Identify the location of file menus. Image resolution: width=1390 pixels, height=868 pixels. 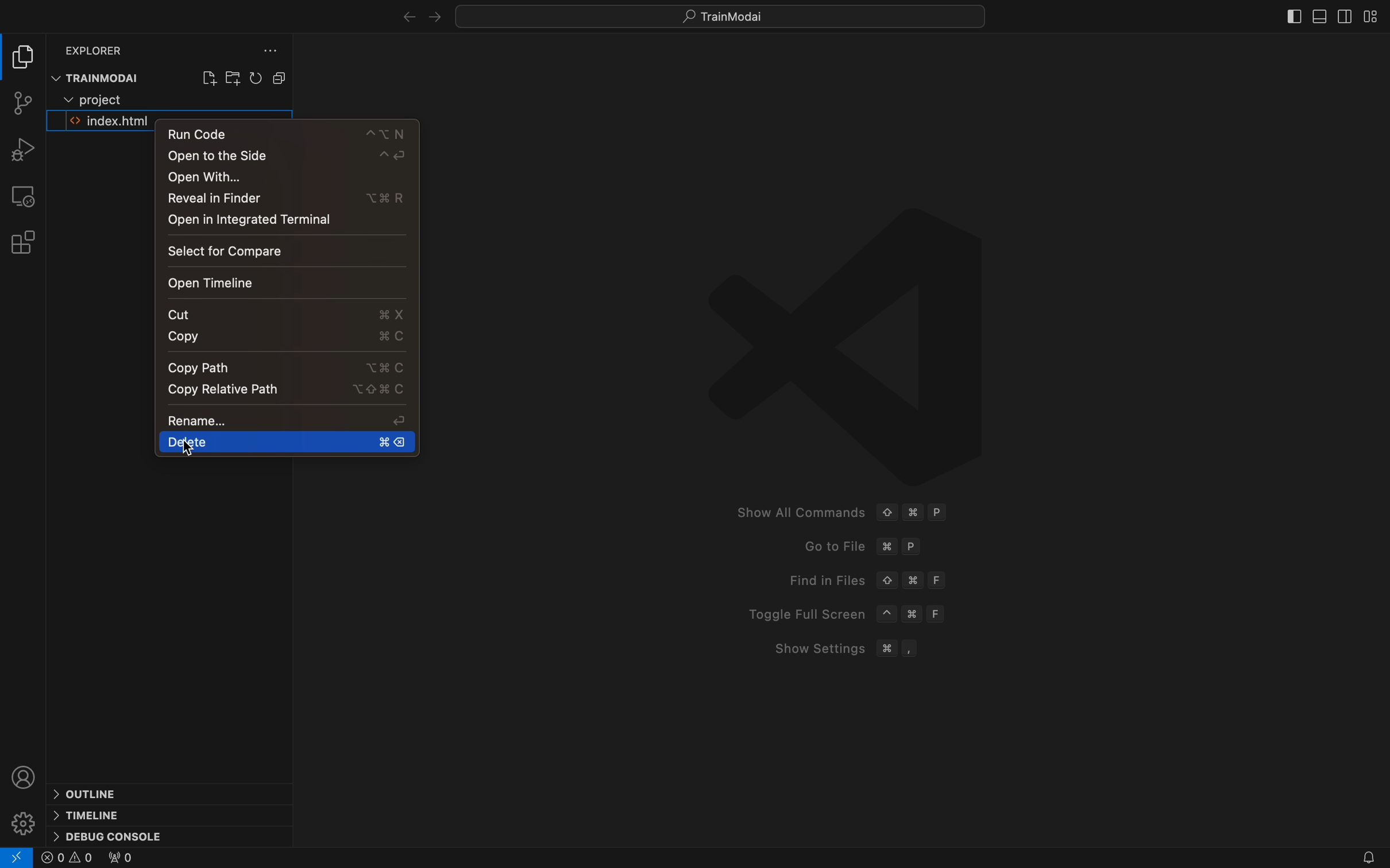
(283, 77).